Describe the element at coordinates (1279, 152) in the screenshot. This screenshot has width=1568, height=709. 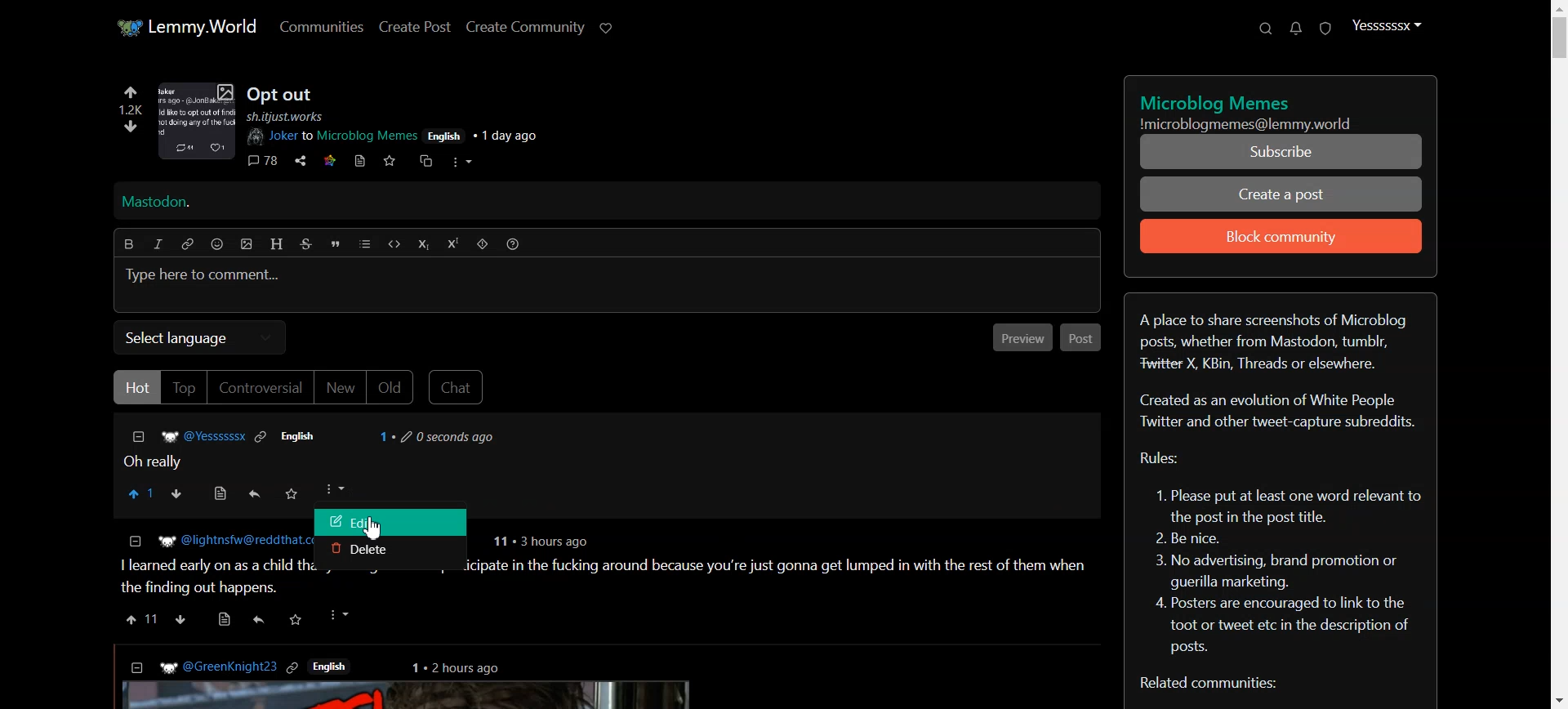
I see `Subscribe` at that location.